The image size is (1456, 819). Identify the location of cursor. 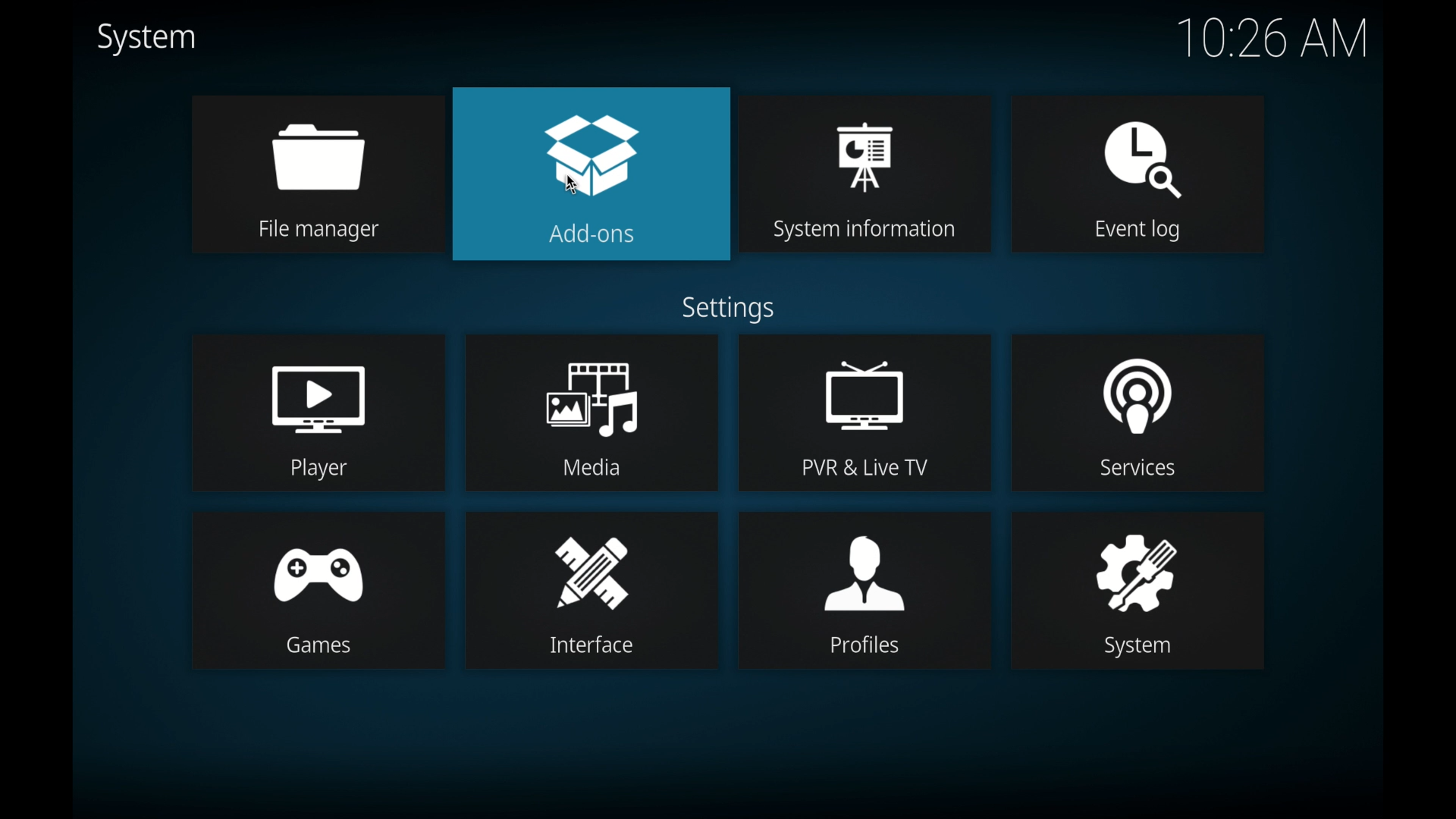
(573, 184).